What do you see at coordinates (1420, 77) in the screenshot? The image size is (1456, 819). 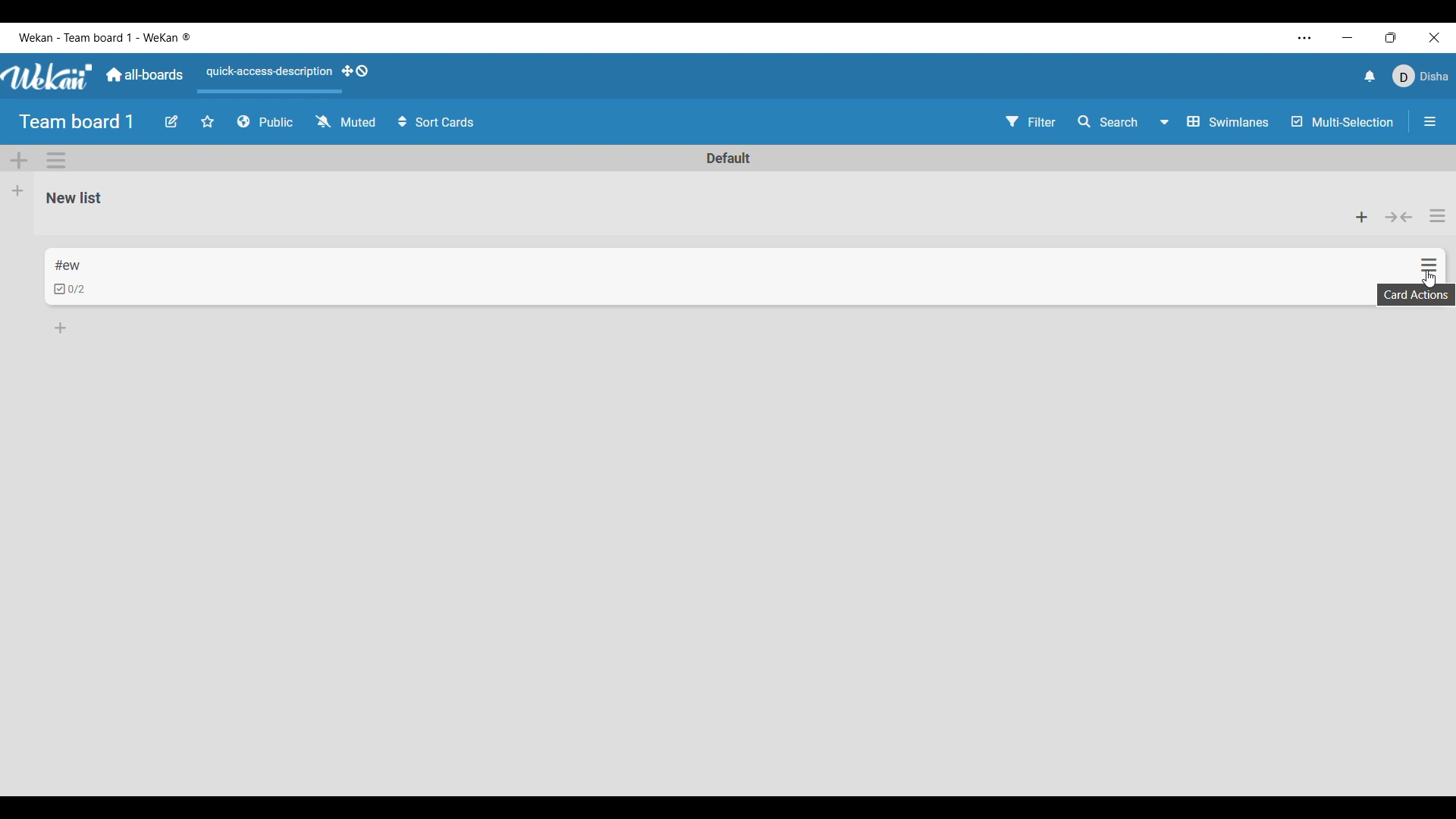 I see `Current account` at bounding box center [1420, 77].